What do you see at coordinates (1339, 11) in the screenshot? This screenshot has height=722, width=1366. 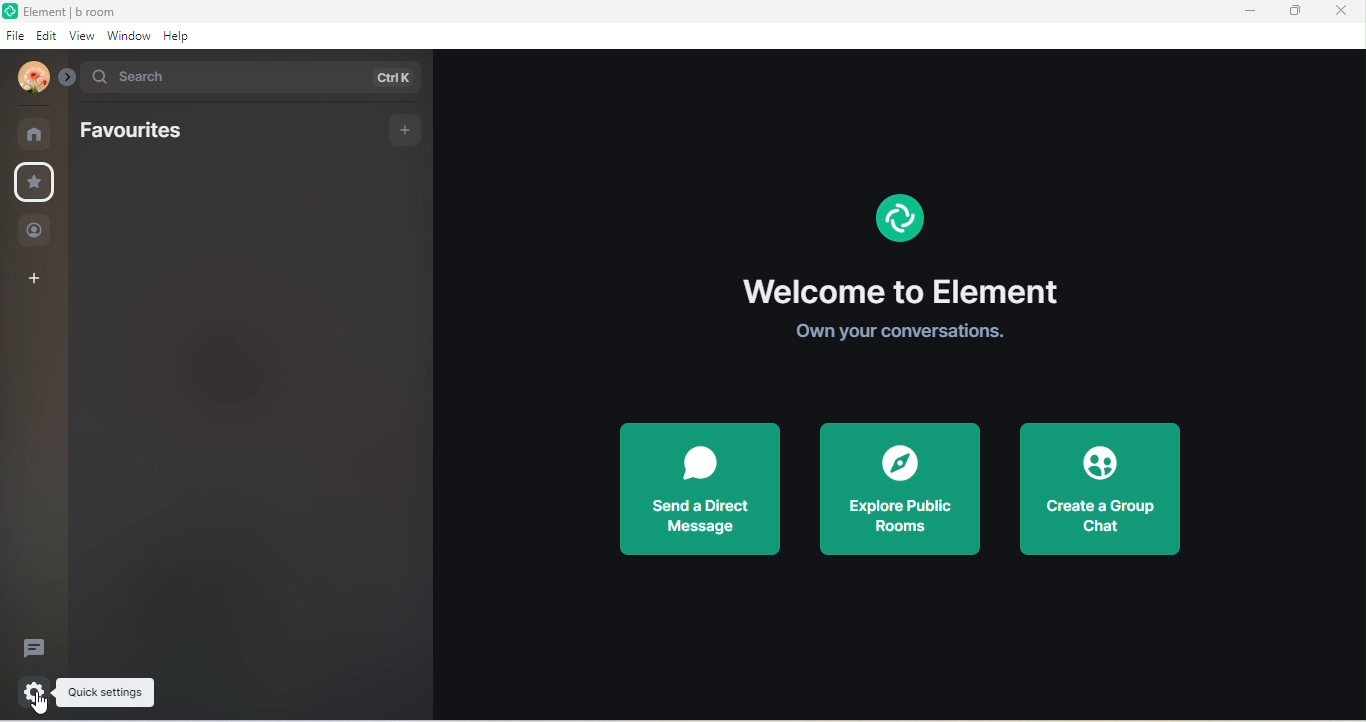 I see `close` at bounding box center [1339, 11].